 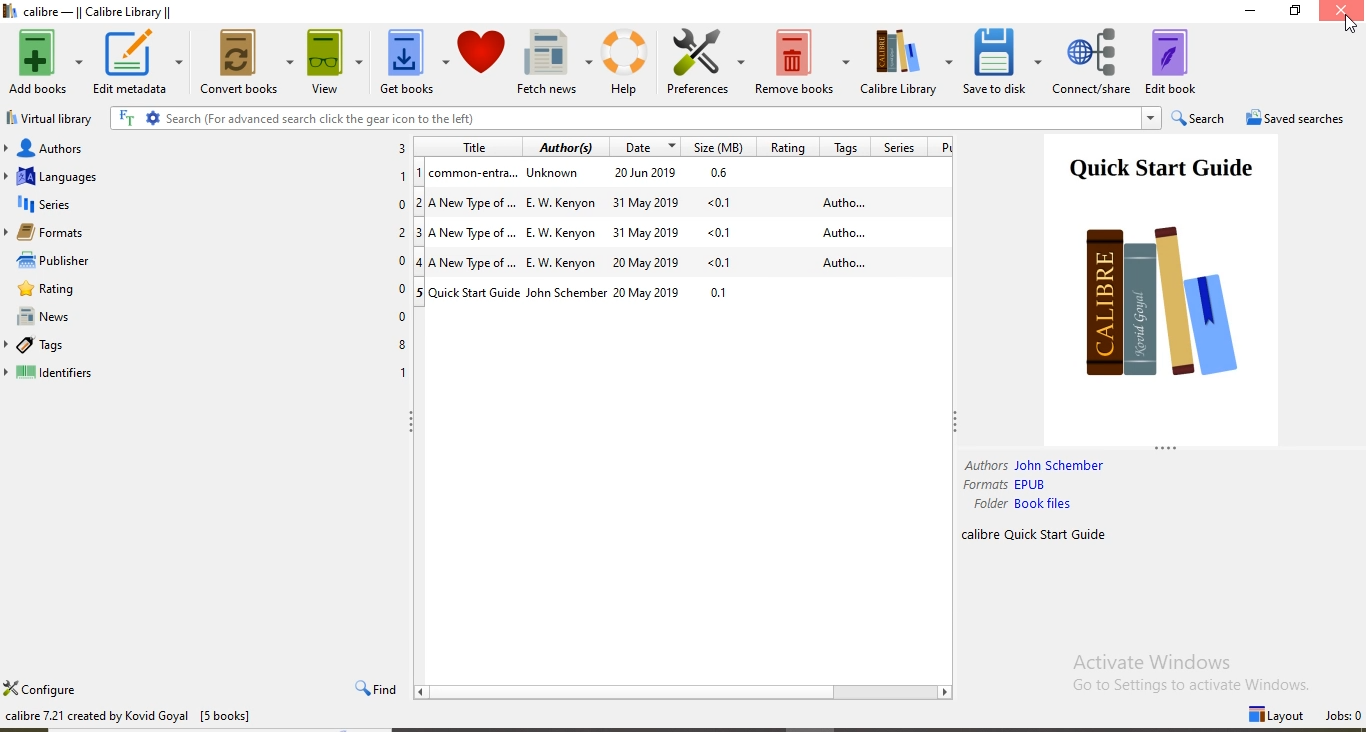 I want to click on Identifiers, so click(x=206, y=373).